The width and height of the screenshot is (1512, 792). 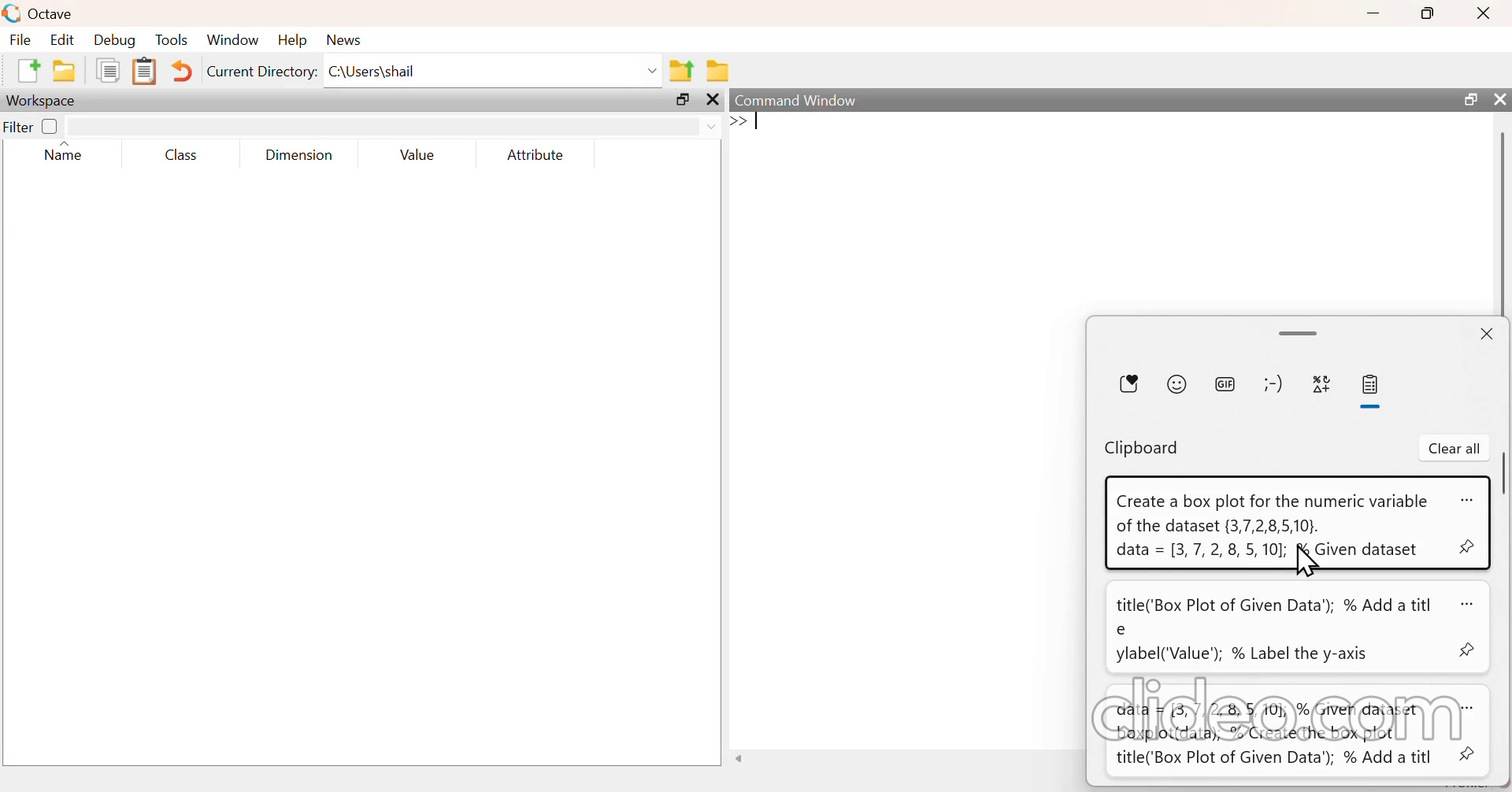 What do you see at coordinates (54, 12) in the screenshot?
I see `Octave` at bounding box center [54, 12].